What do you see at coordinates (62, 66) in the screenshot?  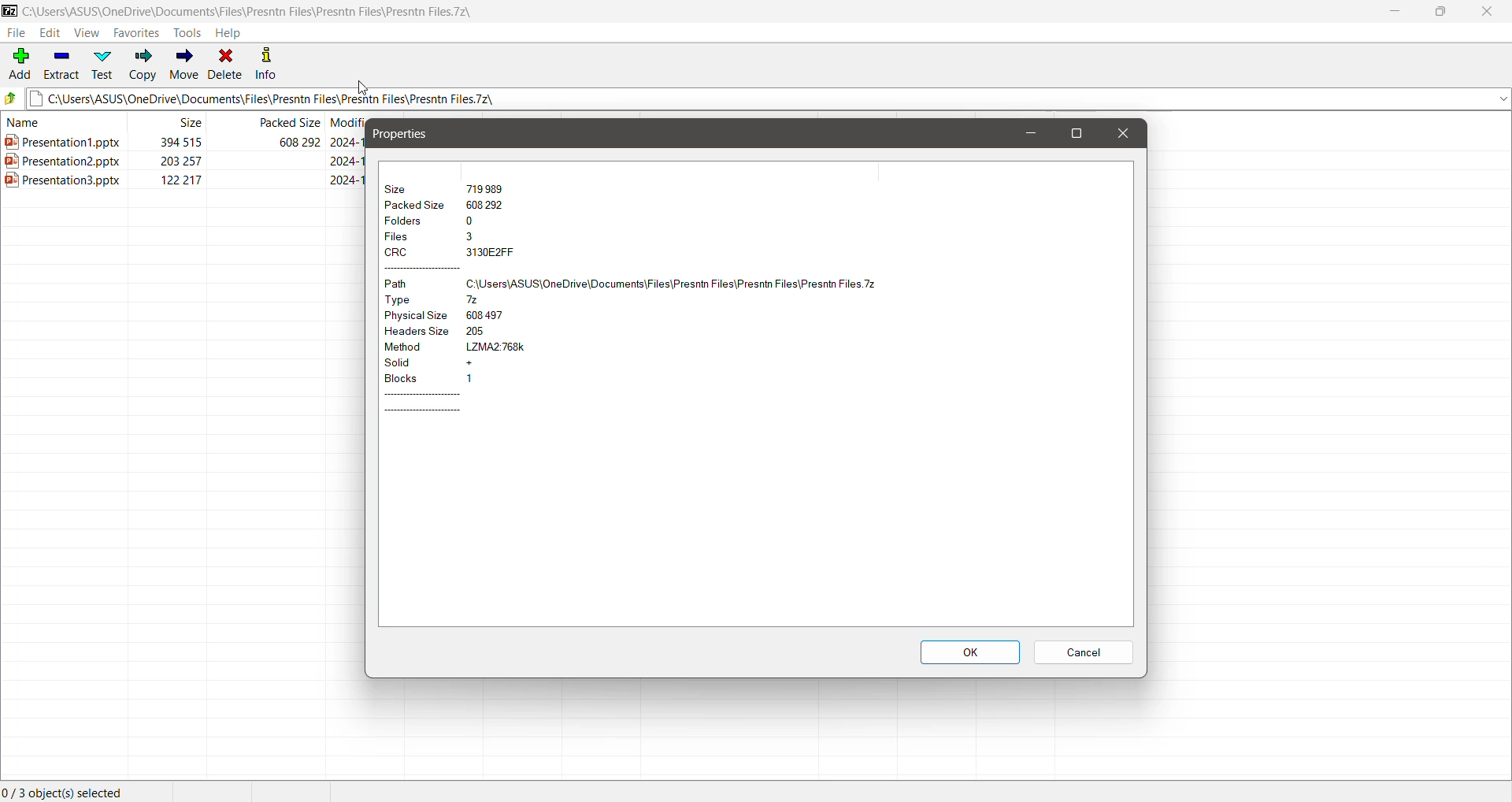 I see `Extract` at bounding box center [62, 66].